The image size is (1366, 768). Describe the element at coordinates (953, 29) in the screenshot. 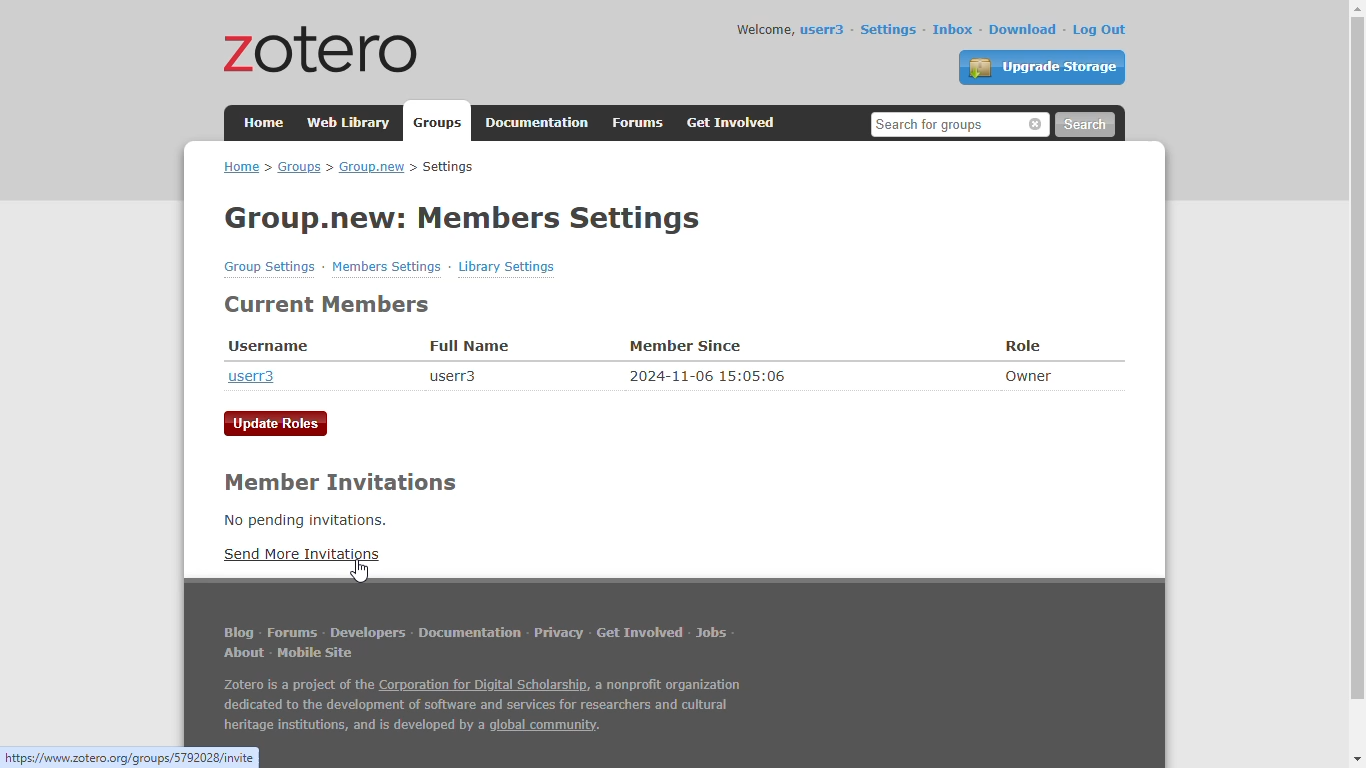

I see `inbox` at that location.